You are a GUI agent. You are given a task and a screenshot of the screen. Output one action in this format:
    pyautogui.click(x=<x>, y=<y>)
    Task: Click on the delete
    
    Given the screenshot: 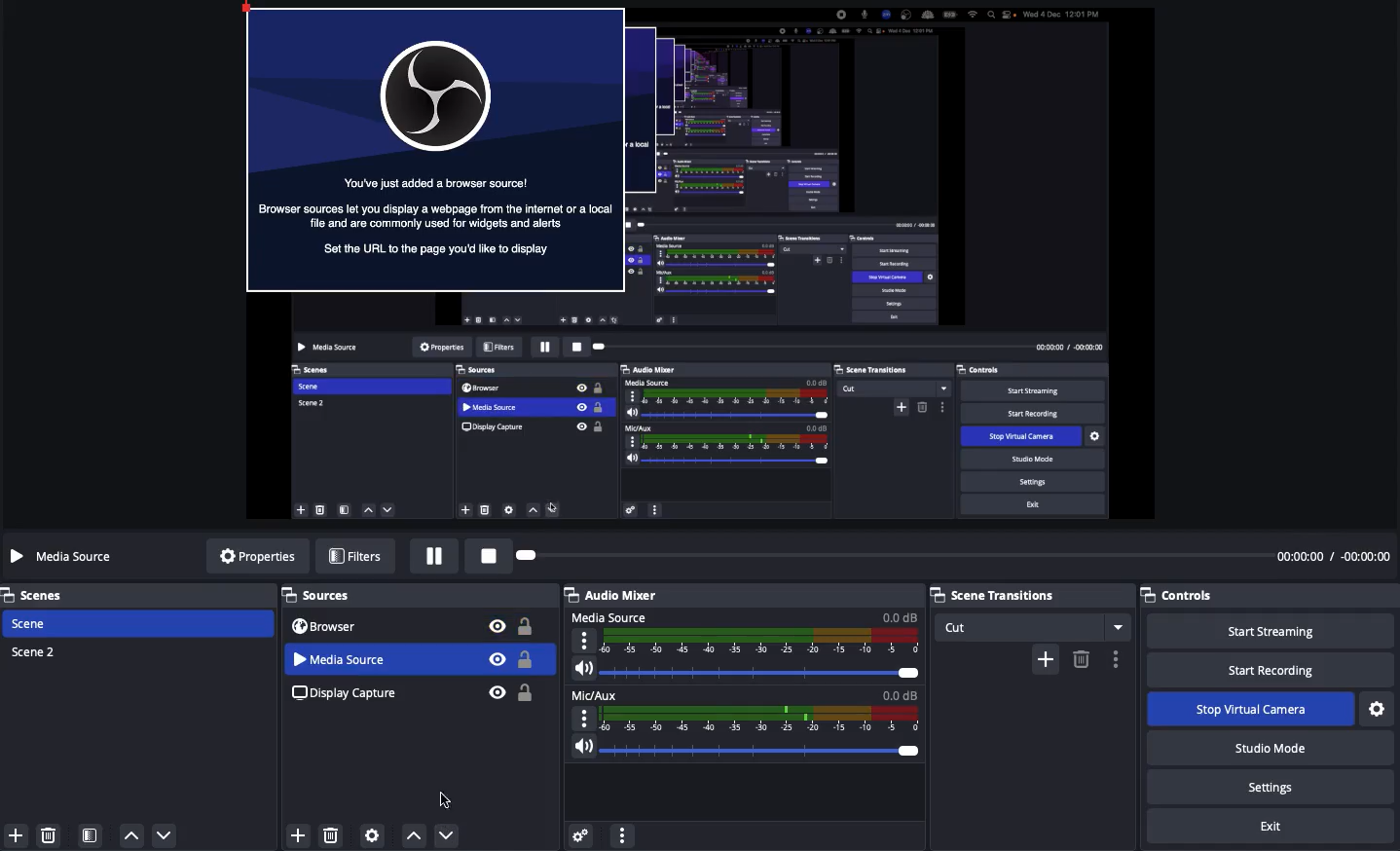 What is the action you would take?
    pyautogui.click(x=50, y=835)
    